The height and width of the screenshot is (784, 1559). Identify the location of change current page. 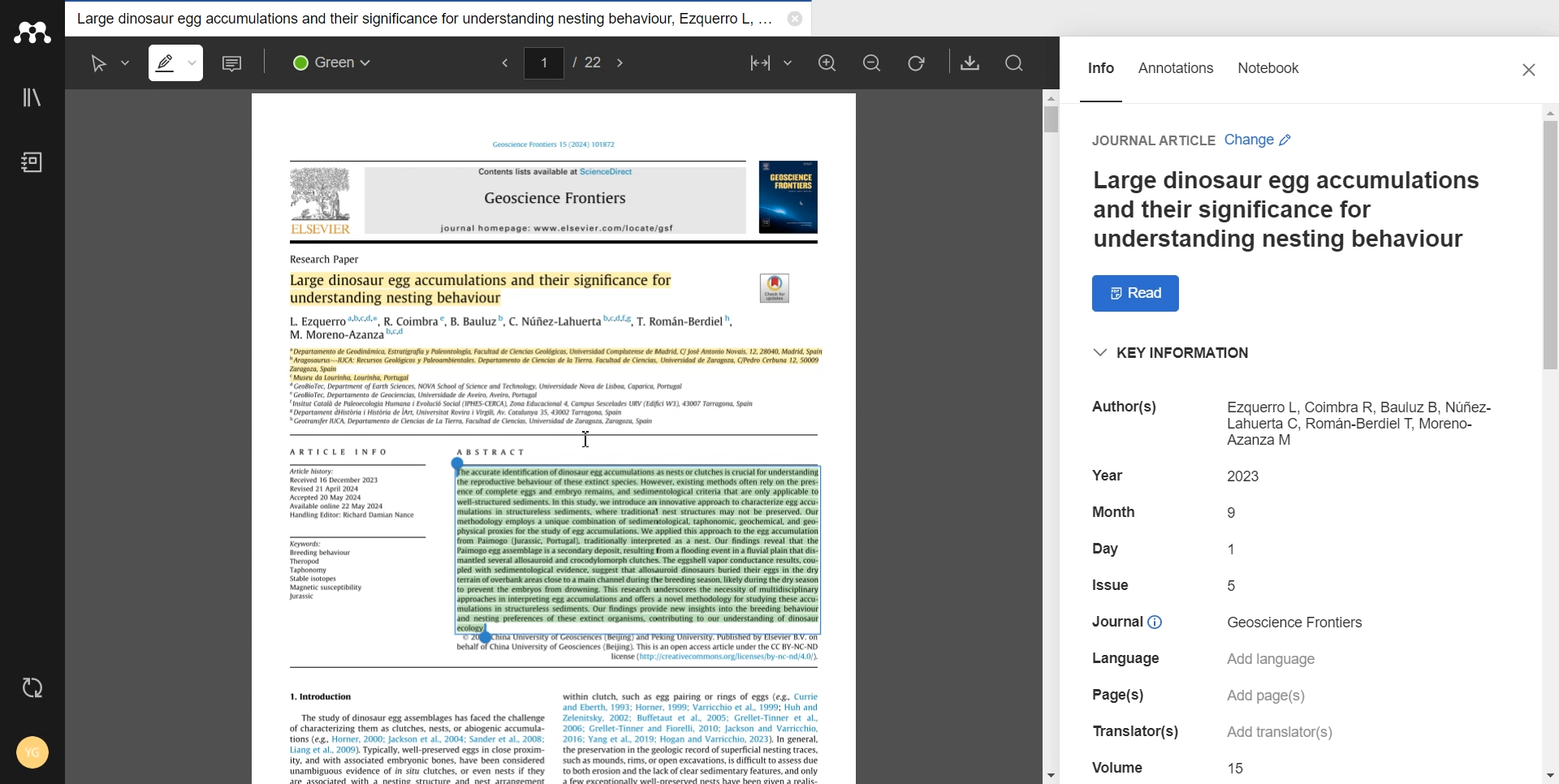
(543, 62).